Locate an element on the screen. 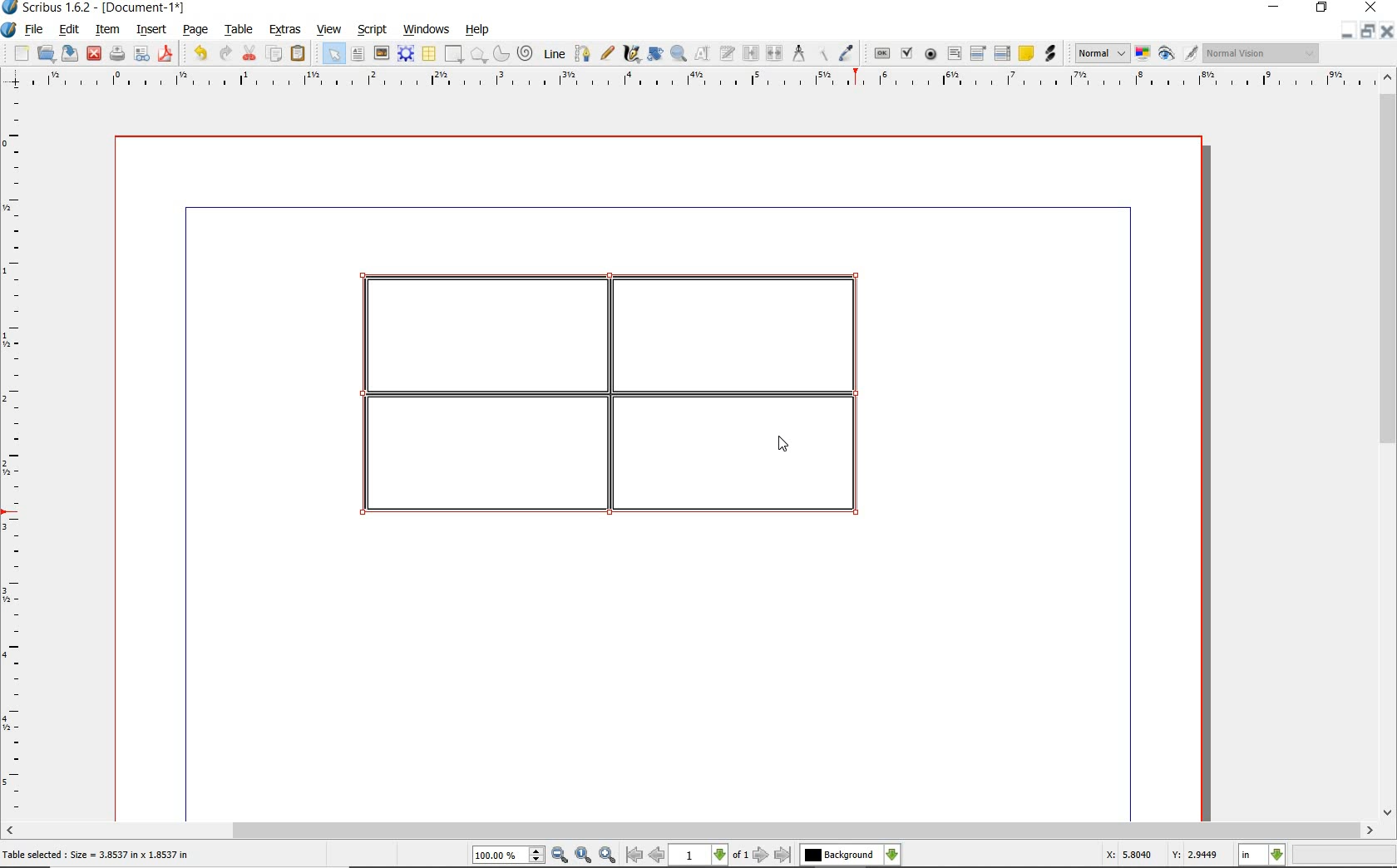  Table selected : Size = 3.8537 in x 1.8537 in is located at coordinates (96, 854).